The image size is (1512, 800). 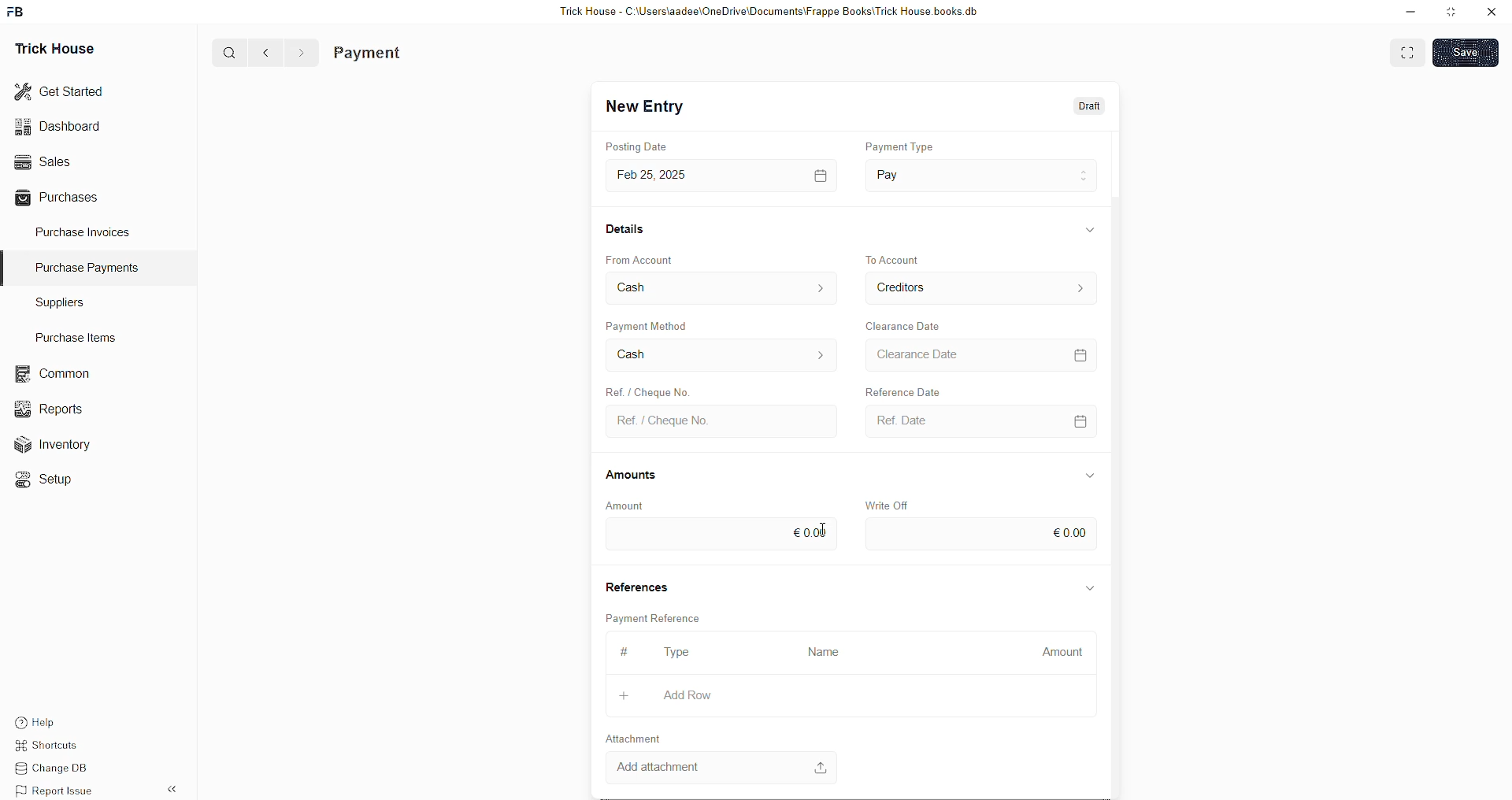 What do you see at coordinates (909, 147) in the screenshot?
I see `payment type` at bounding box center [909, 147].